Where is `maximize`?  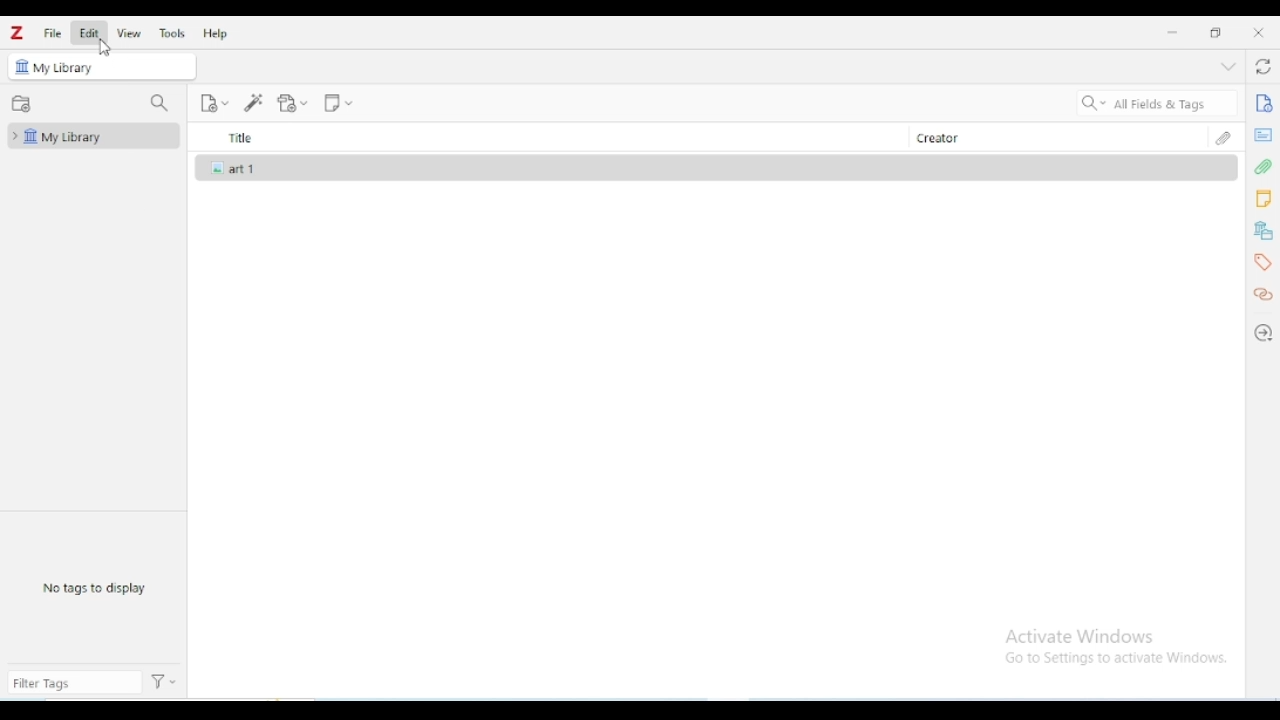
maximize is located at coordinates (1215, 32).